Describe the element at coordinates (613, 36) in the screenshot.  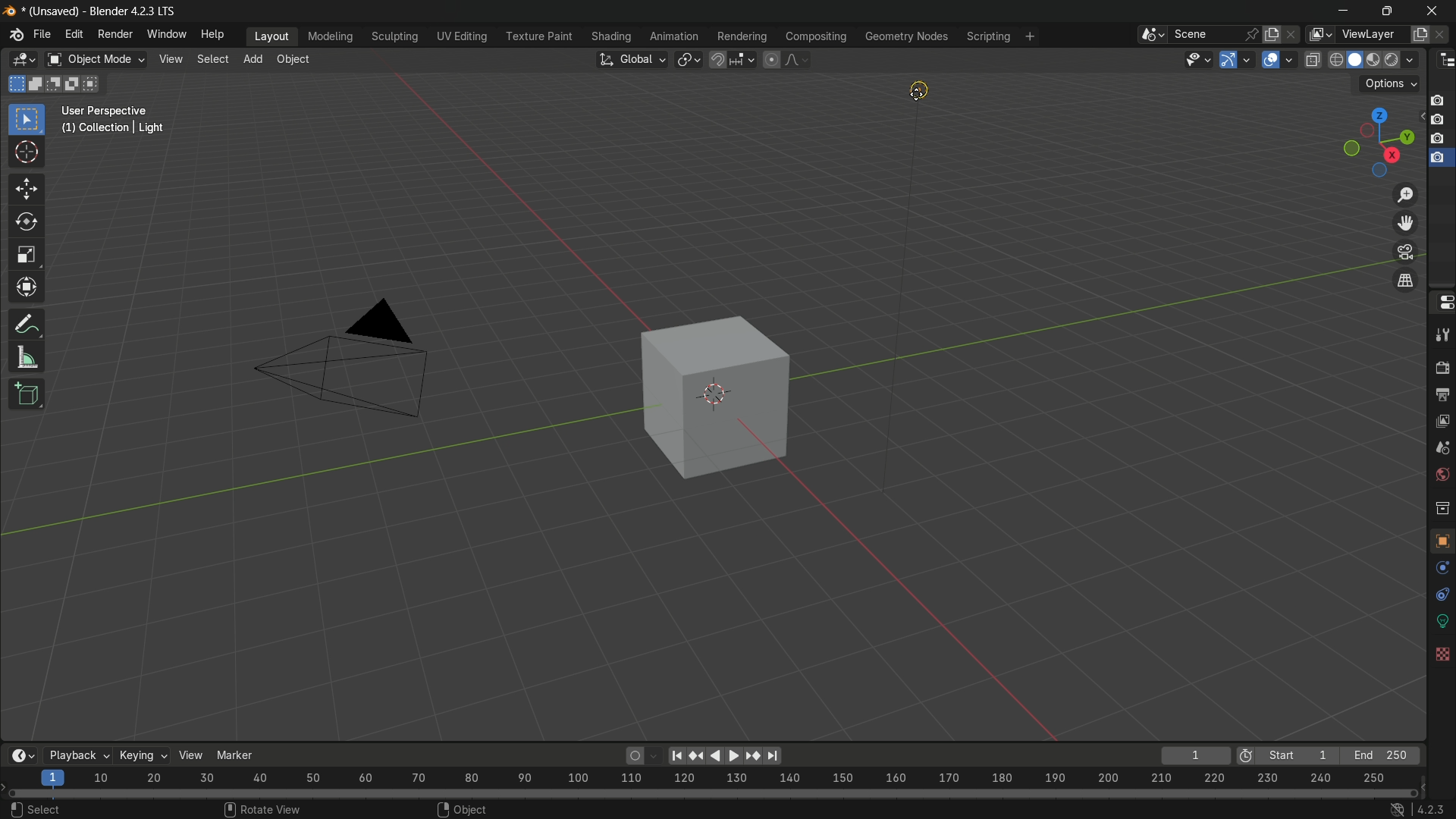
I see `shading menu` at that location.